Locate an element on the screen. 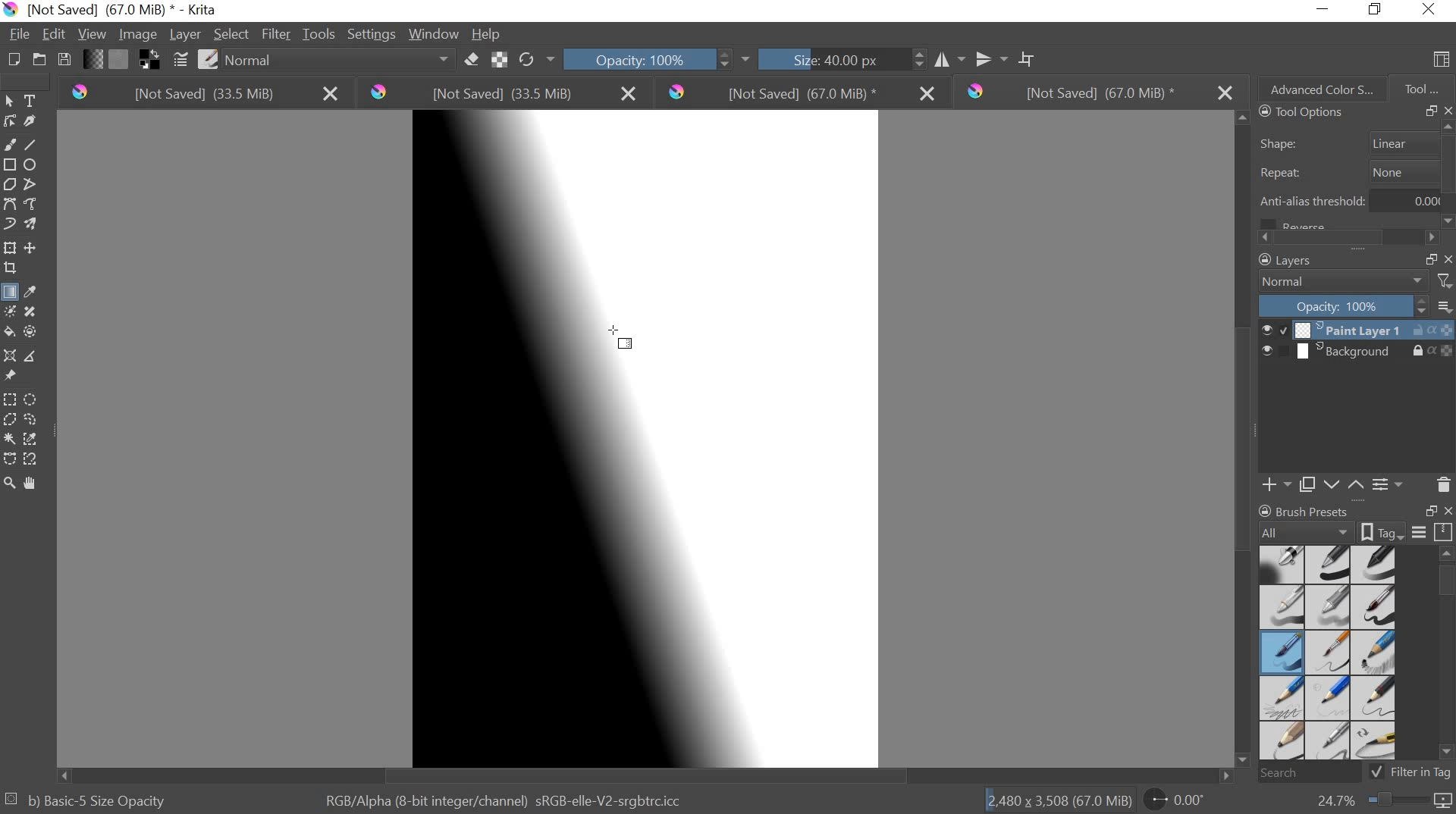 The height and width of the screenshot is (814, 1456). ellipses is located at coordinates (30, 165).